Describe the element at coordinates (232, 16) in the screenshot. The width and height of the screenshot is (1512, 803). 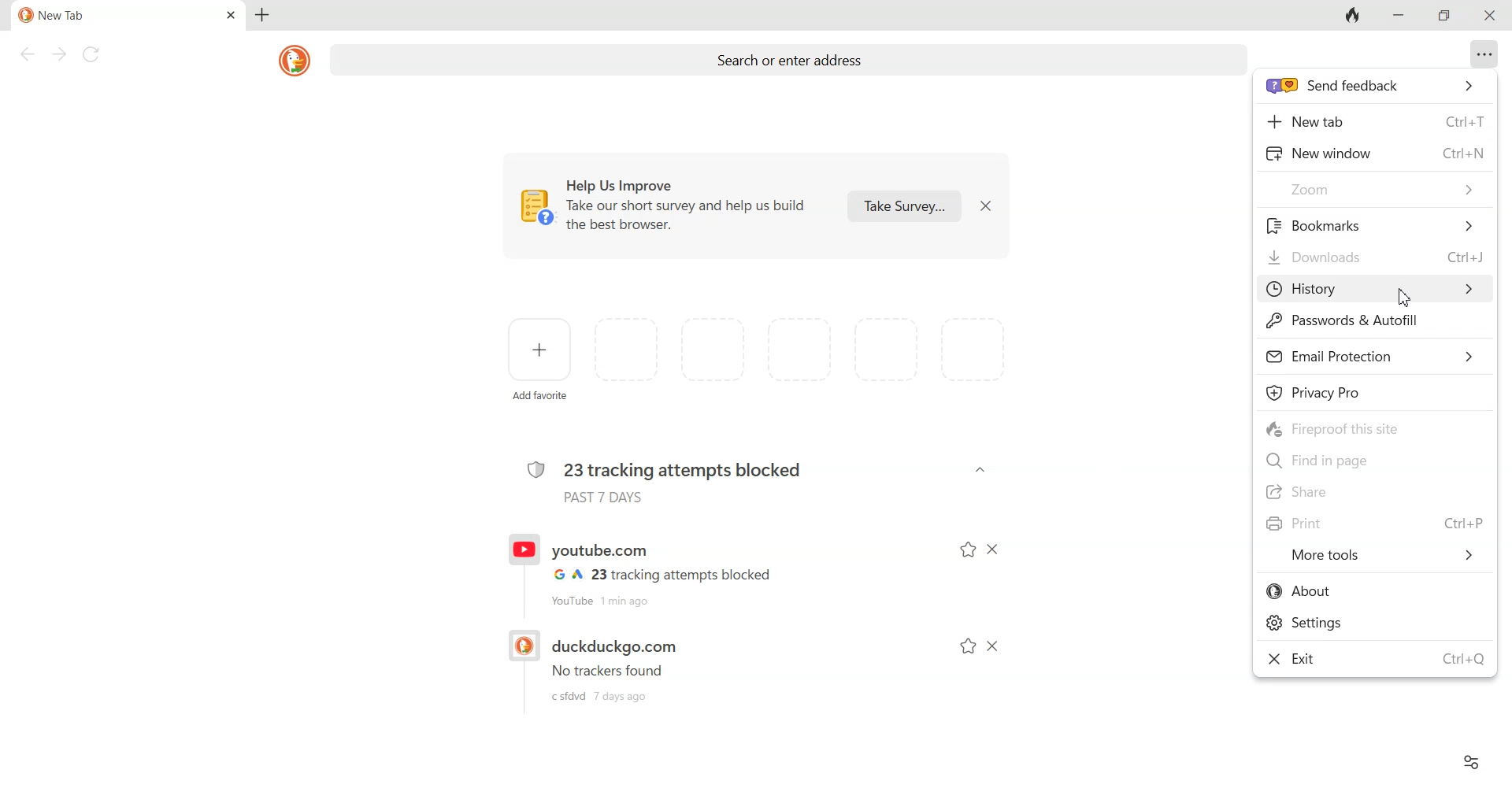
I see `Close tab` at that location.